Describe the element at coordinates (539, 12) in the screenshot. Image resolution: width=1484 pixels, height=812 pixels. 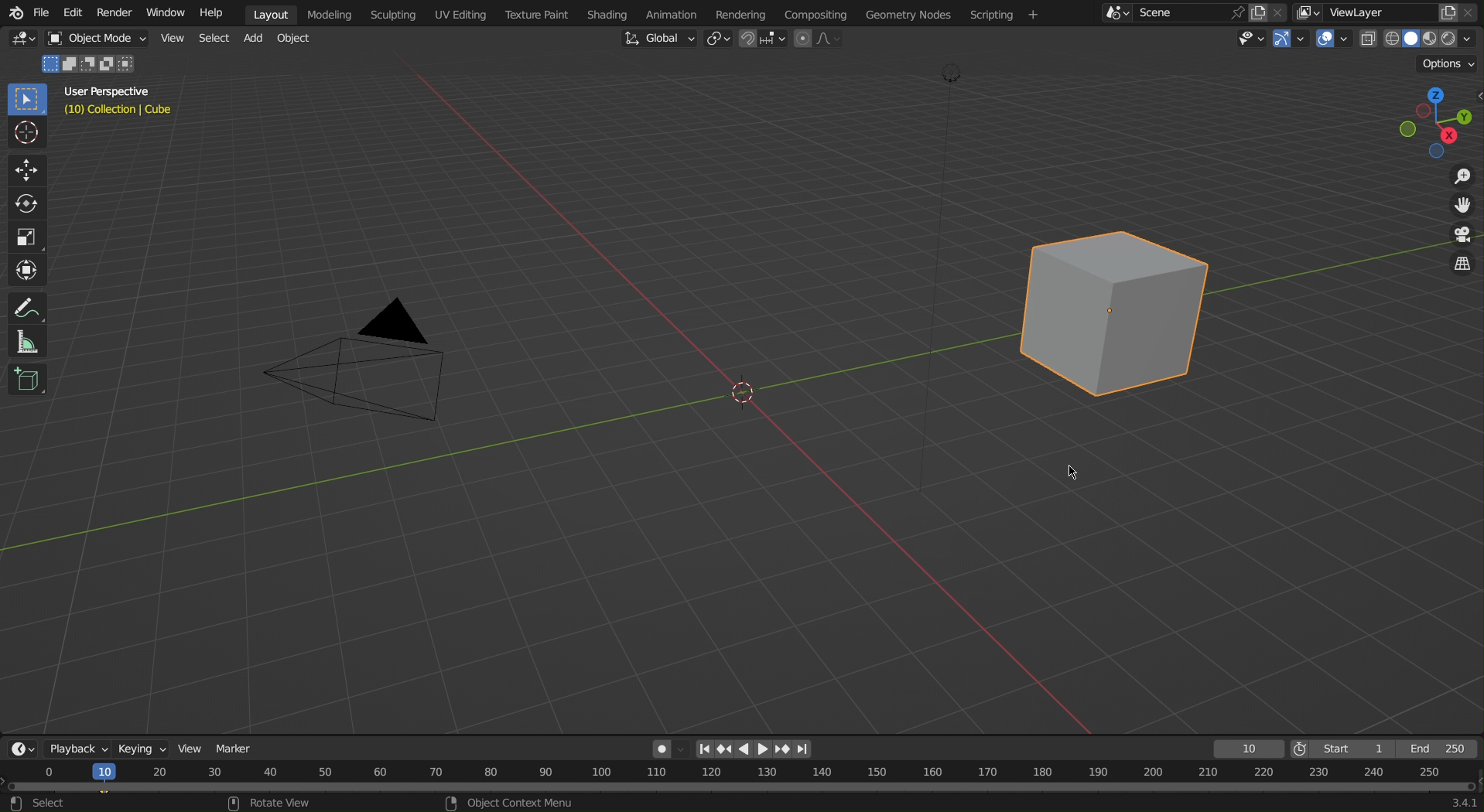
I see `Texture Paint` at that location.